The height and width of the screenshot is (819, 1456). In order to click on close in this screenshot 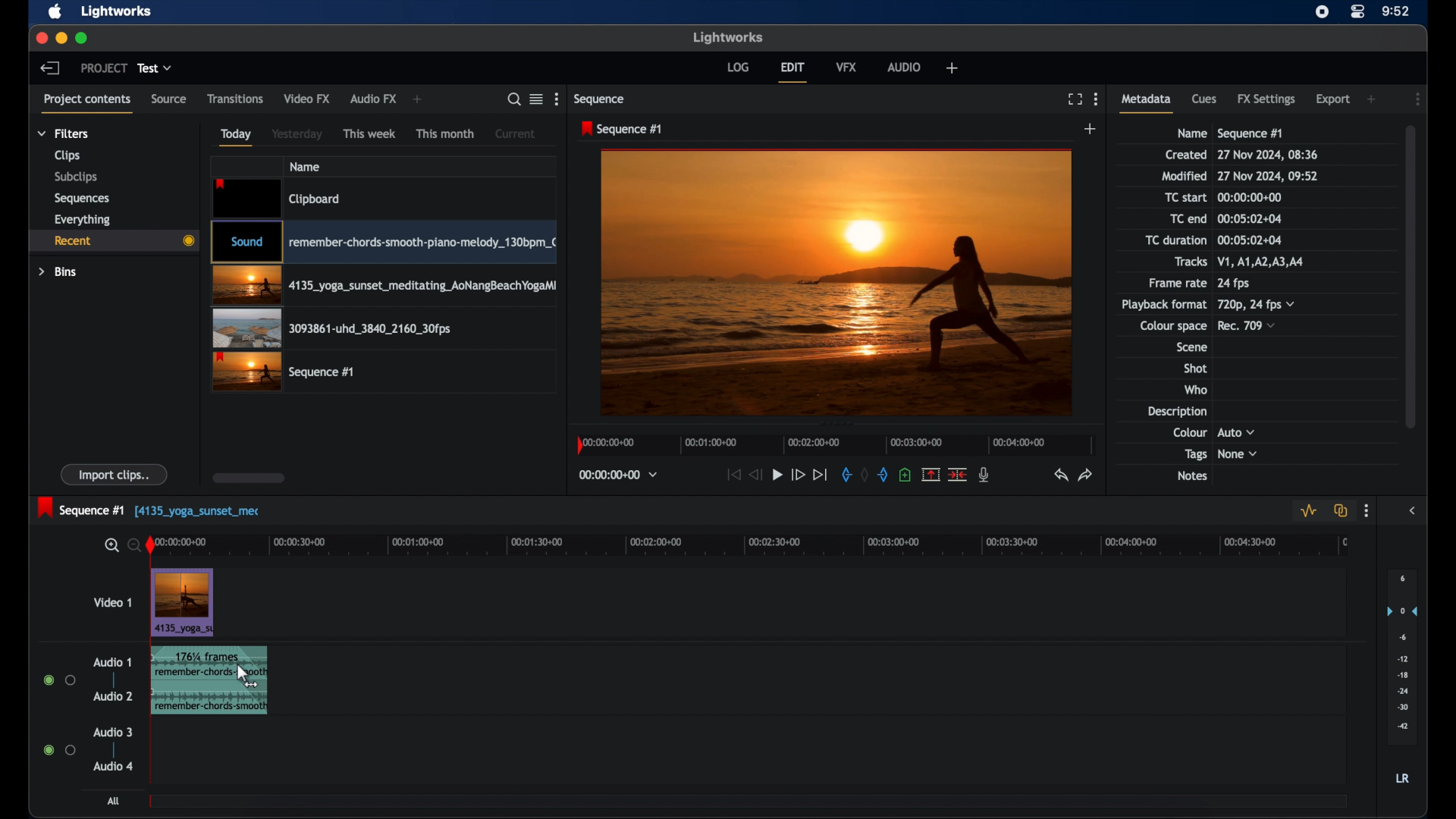, I will do `click(40, 38)`.